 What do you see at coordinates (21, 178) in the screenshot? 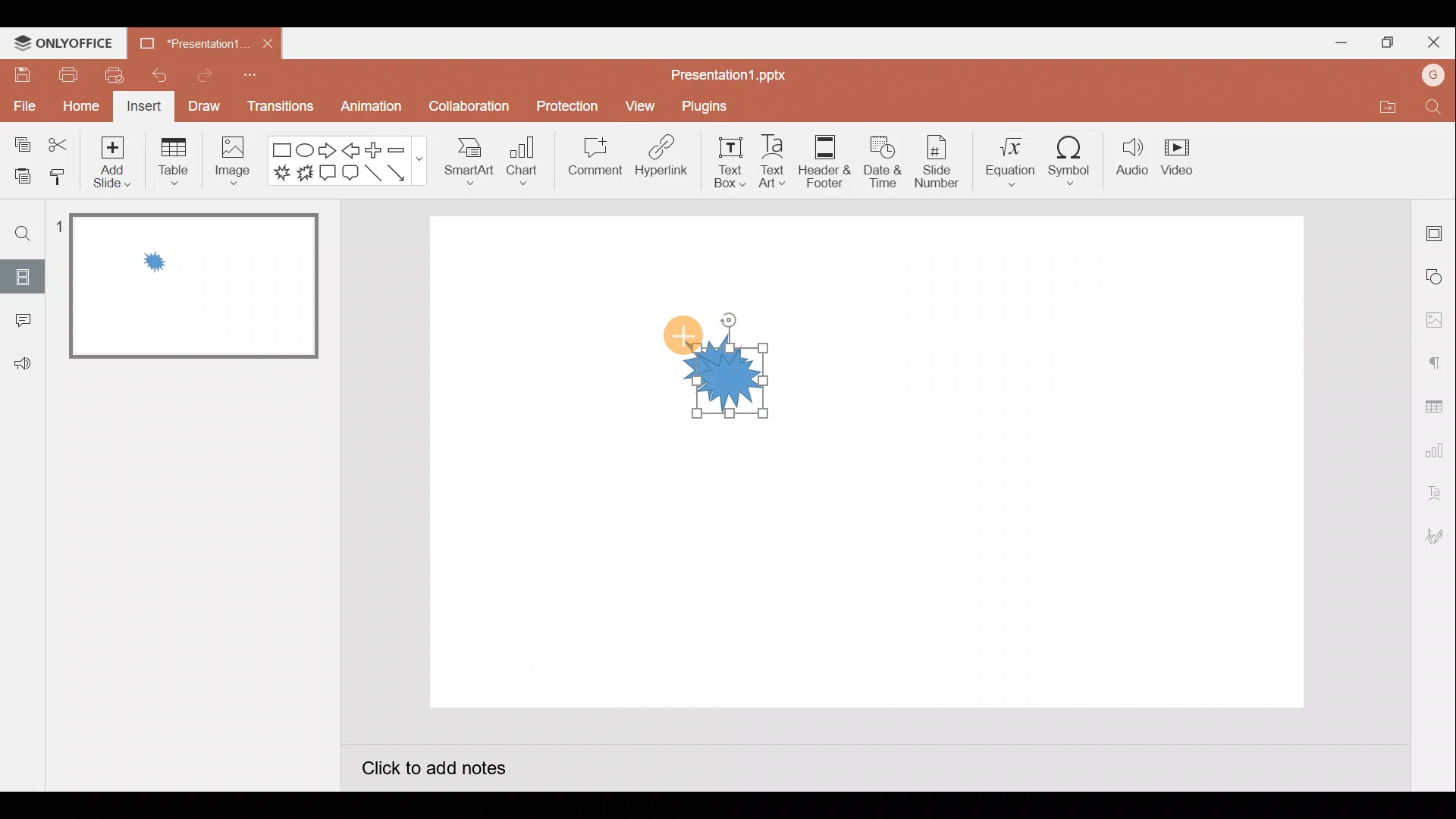
I see `Paste` at bounding box center [21, 178].